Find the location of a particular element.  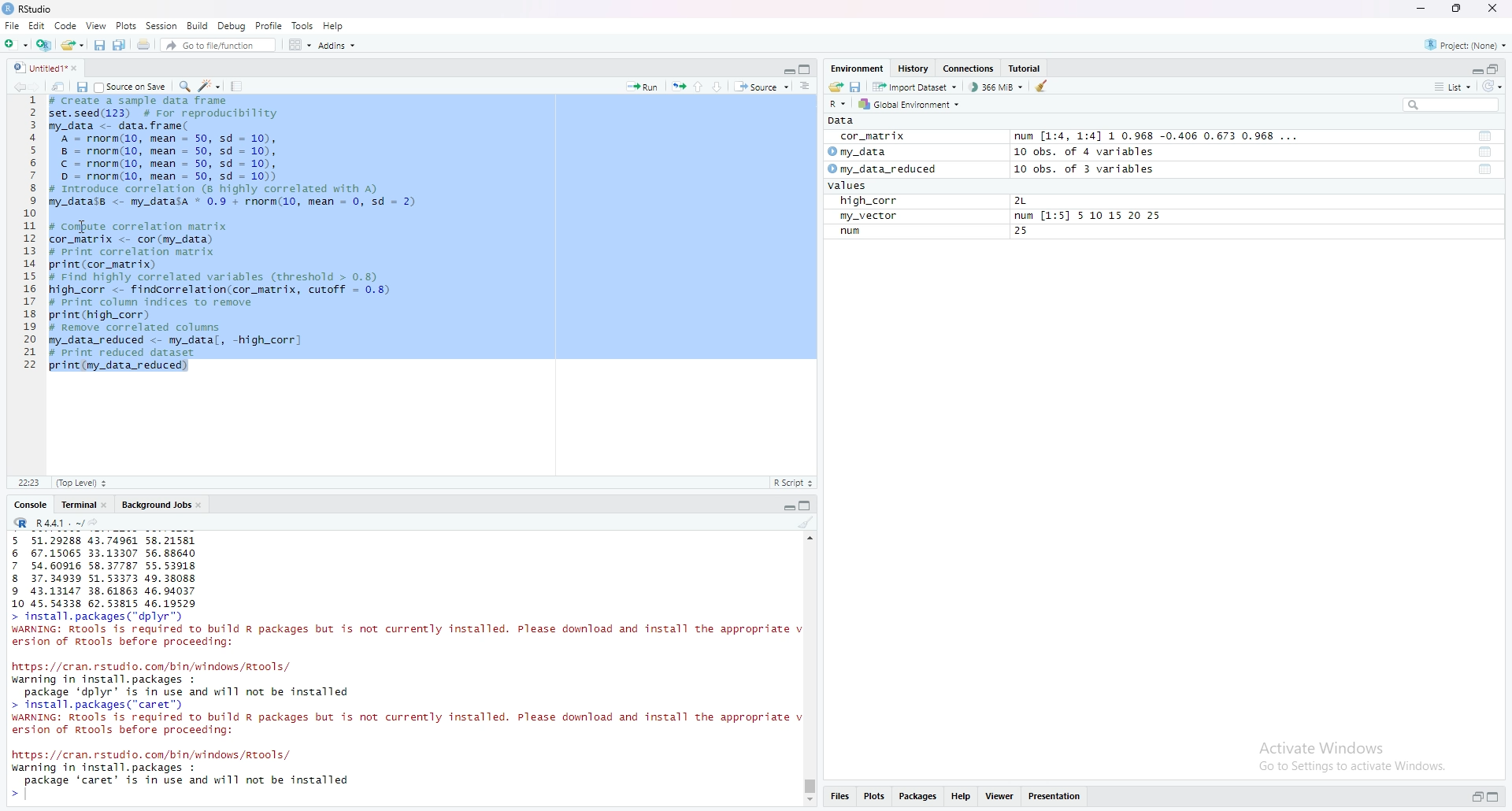

Build is located at coordinates (197, 26).